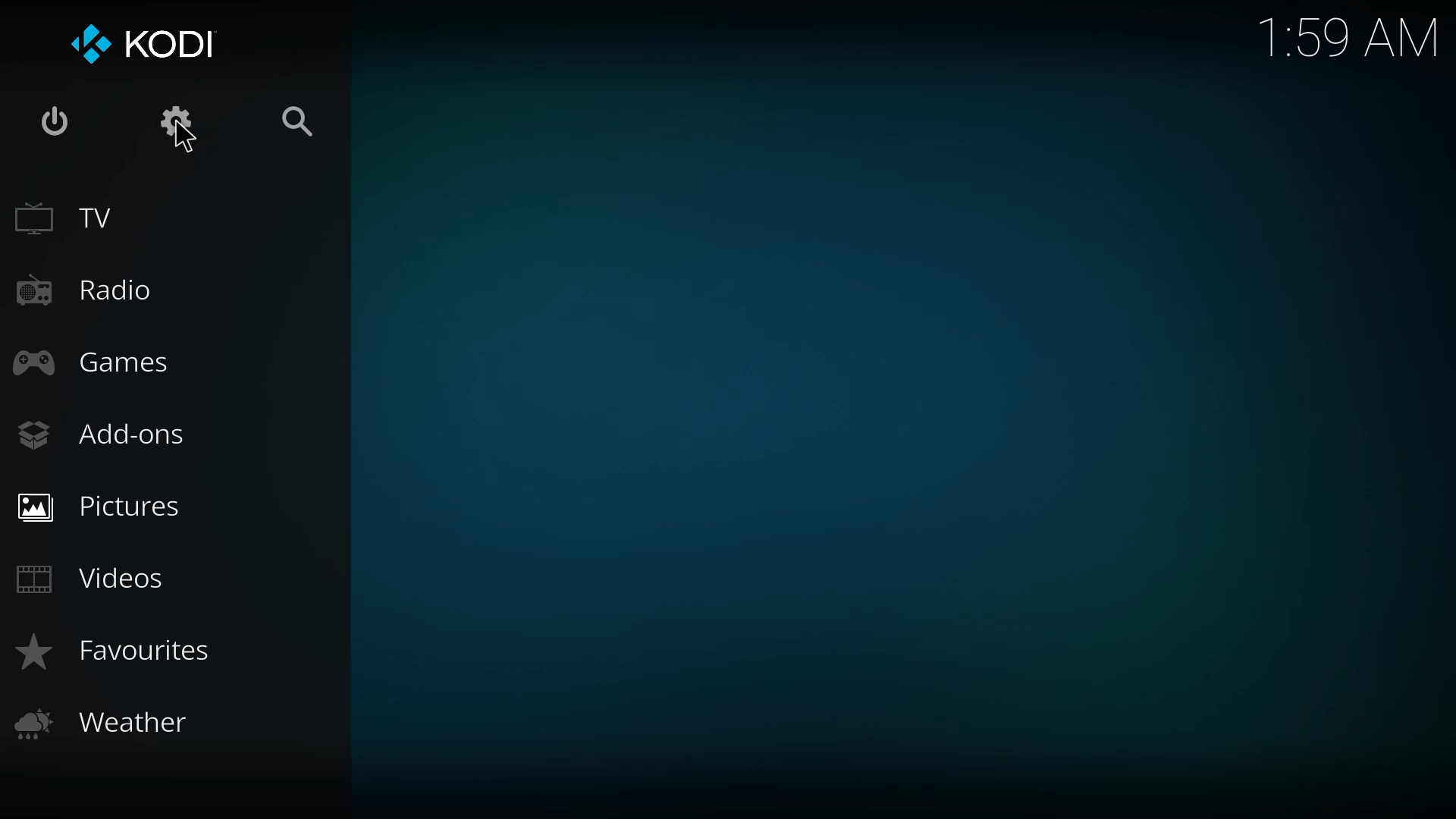 The height and width of the screenshot is (819, 1456). Describe the element at coordinates (297, 121) in the screenshot. I see `search` at that location.